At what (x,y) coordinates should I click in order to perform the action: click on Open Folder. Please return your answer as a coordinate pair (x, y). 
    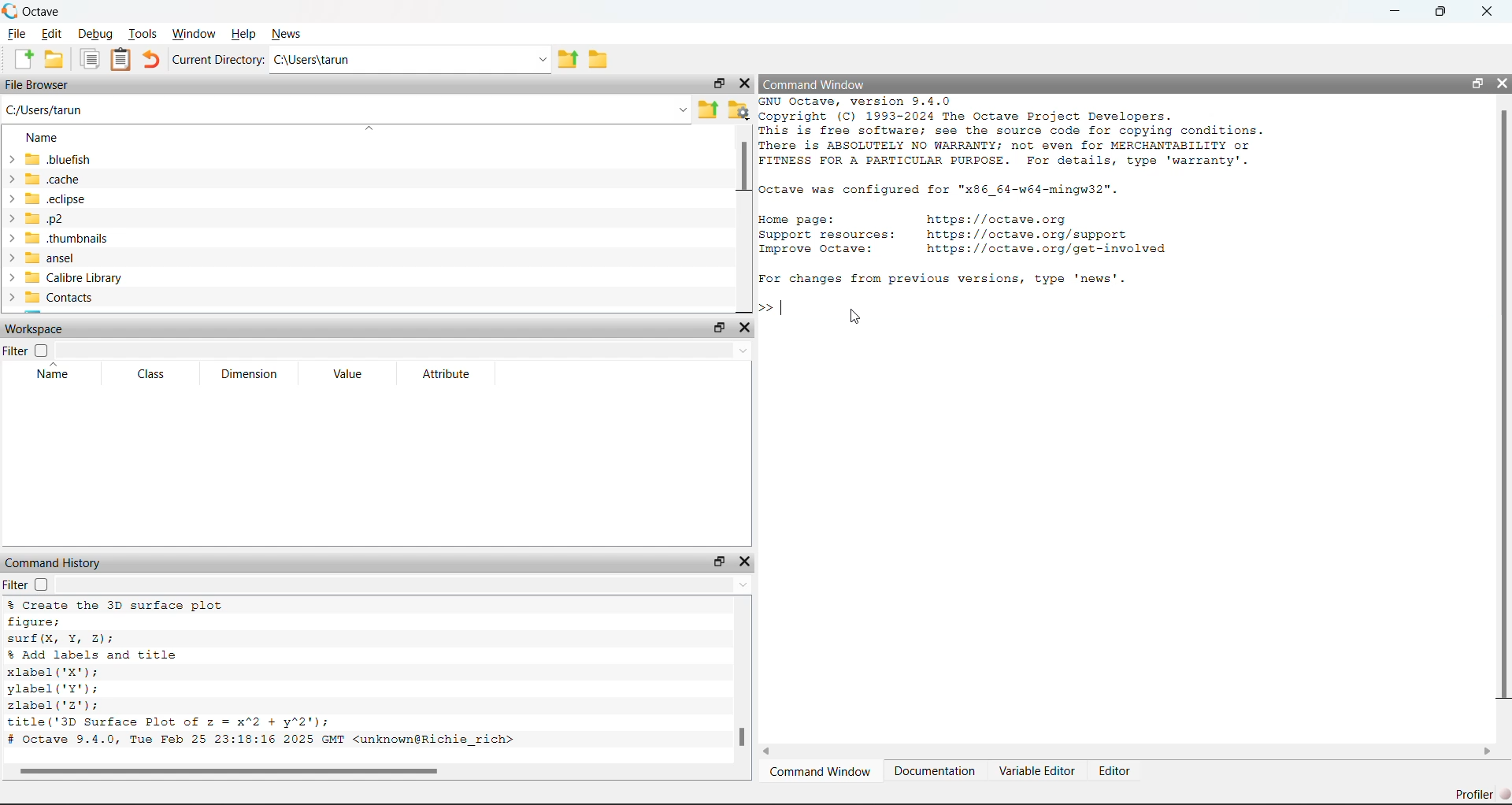
    Looking at the image, I should click on (56, 59).